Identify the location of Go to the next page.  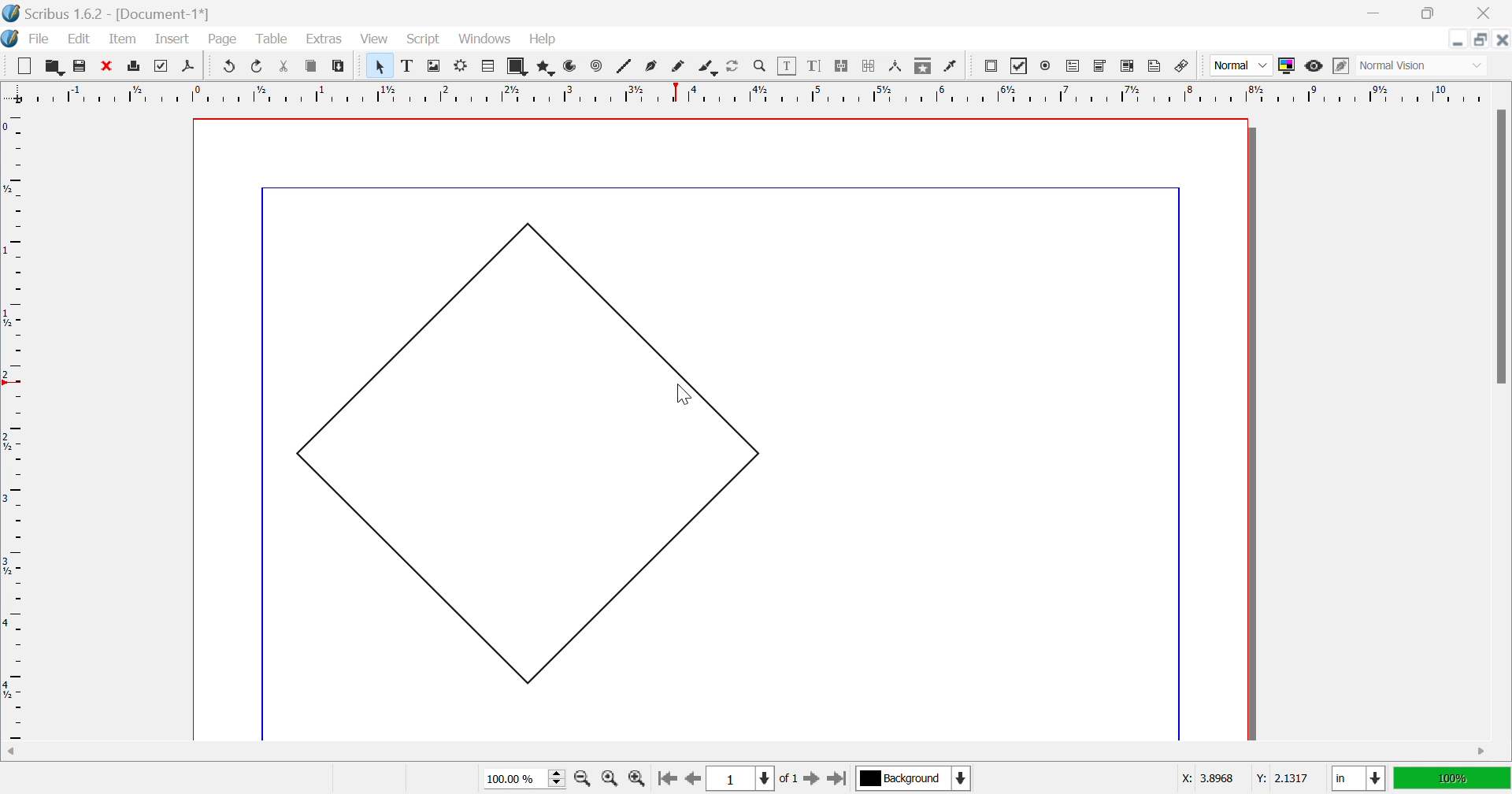
(813, 782).